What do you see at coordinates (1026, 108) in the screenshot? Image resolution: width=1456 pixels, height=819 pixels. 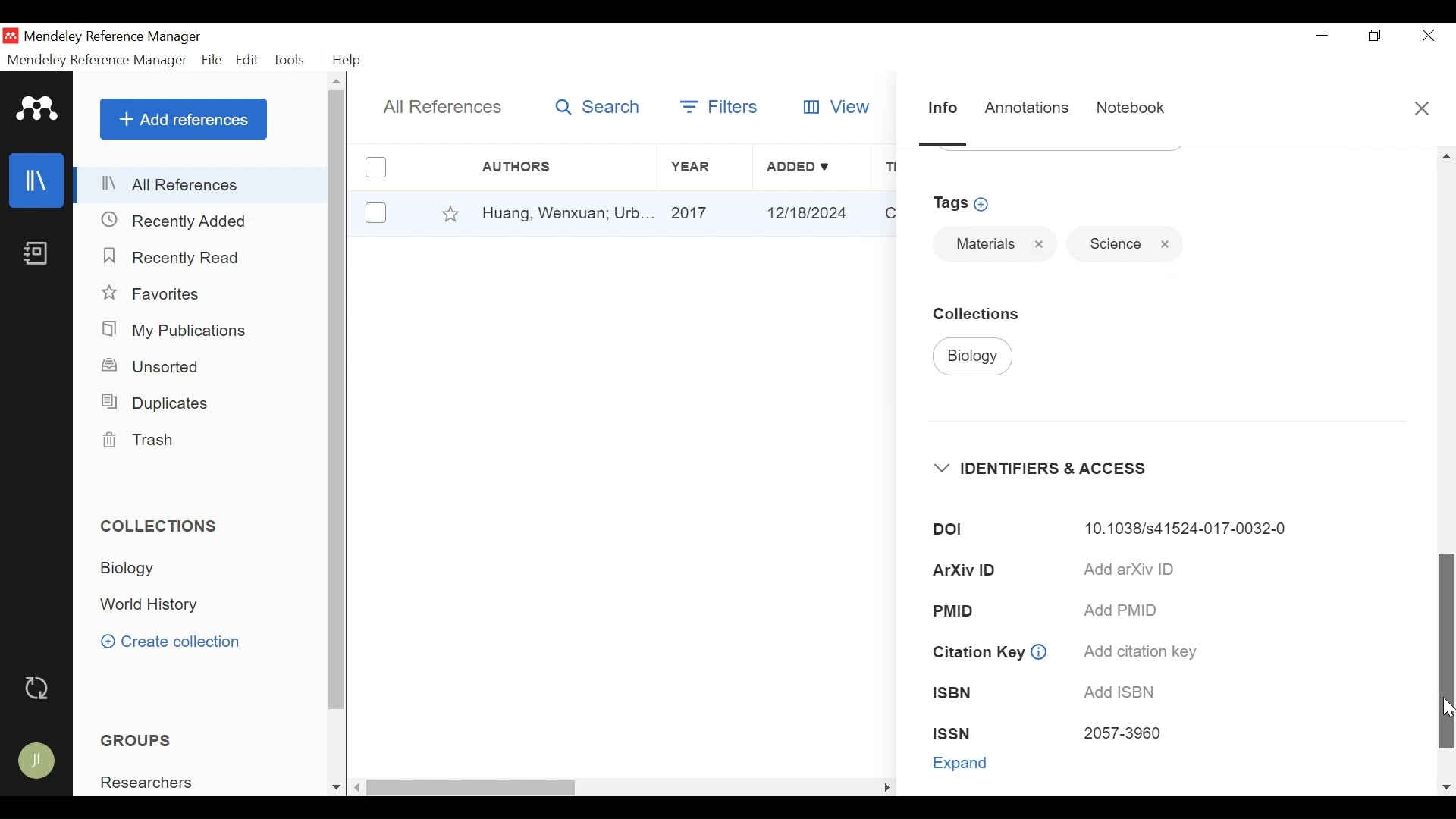 I see `Annotations` at bounding box center [1026, 108].